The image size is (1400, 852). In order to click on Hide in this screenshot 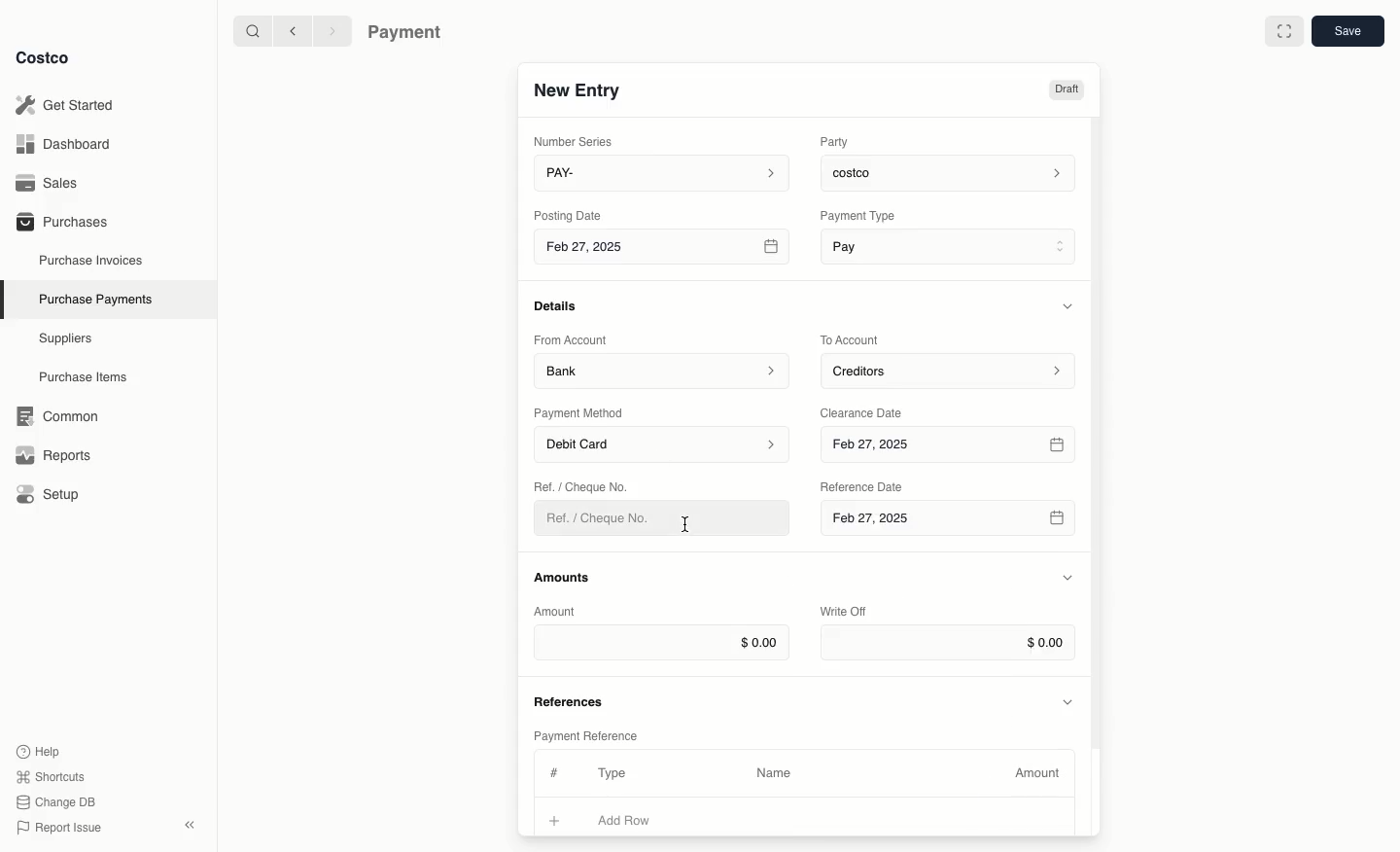, I will do `click(1069, 700)`.